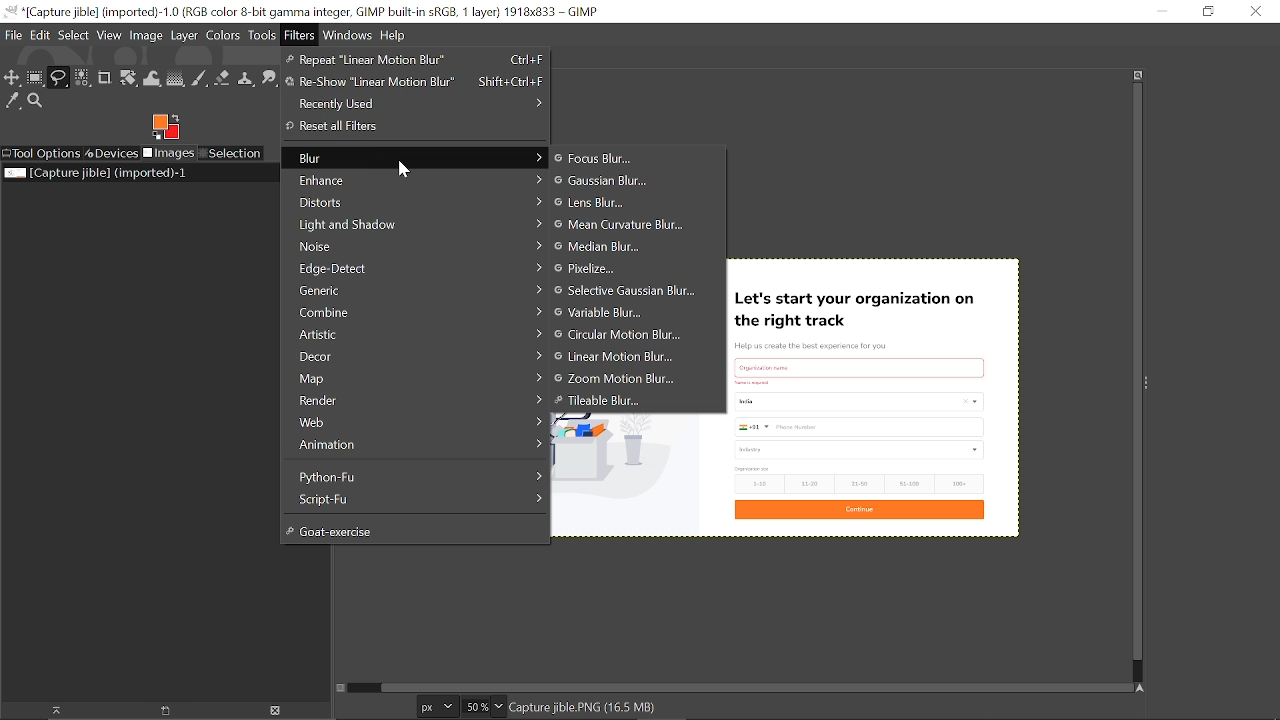 This screenshot has width=1280, height=720. Describe the element at coordinates (1134, 374) in the screenshot. I see `Vertical scrollbar` at that location.